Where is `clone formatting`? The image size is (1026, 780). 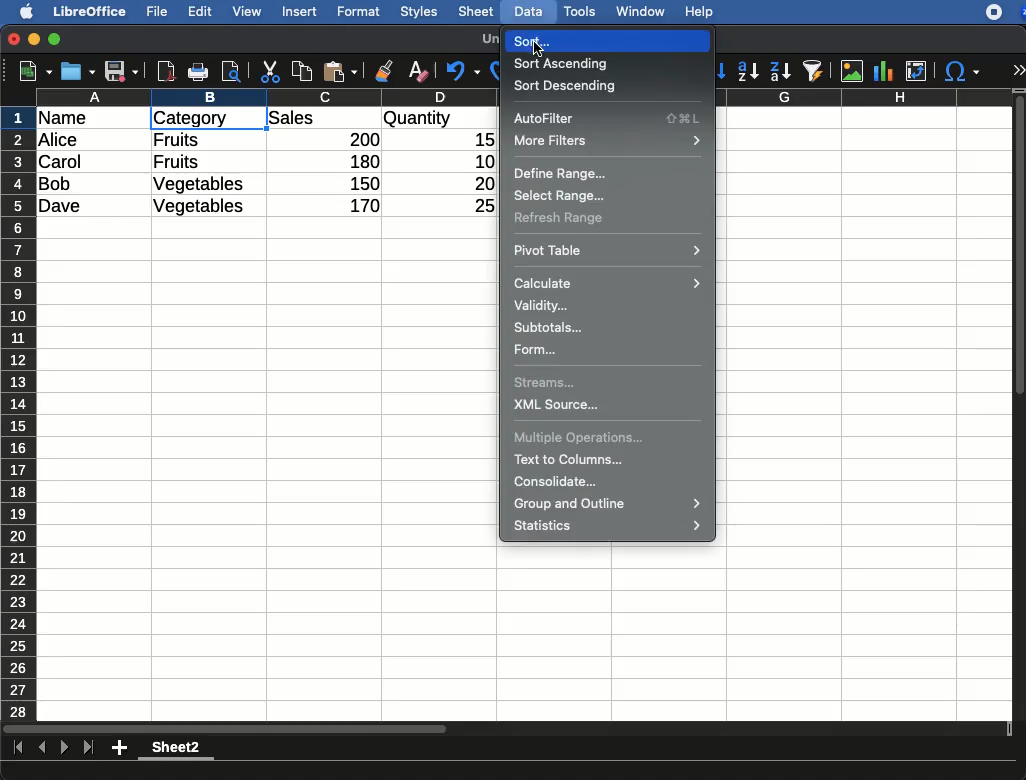 clone formatting is located at coordinates (384, 72).